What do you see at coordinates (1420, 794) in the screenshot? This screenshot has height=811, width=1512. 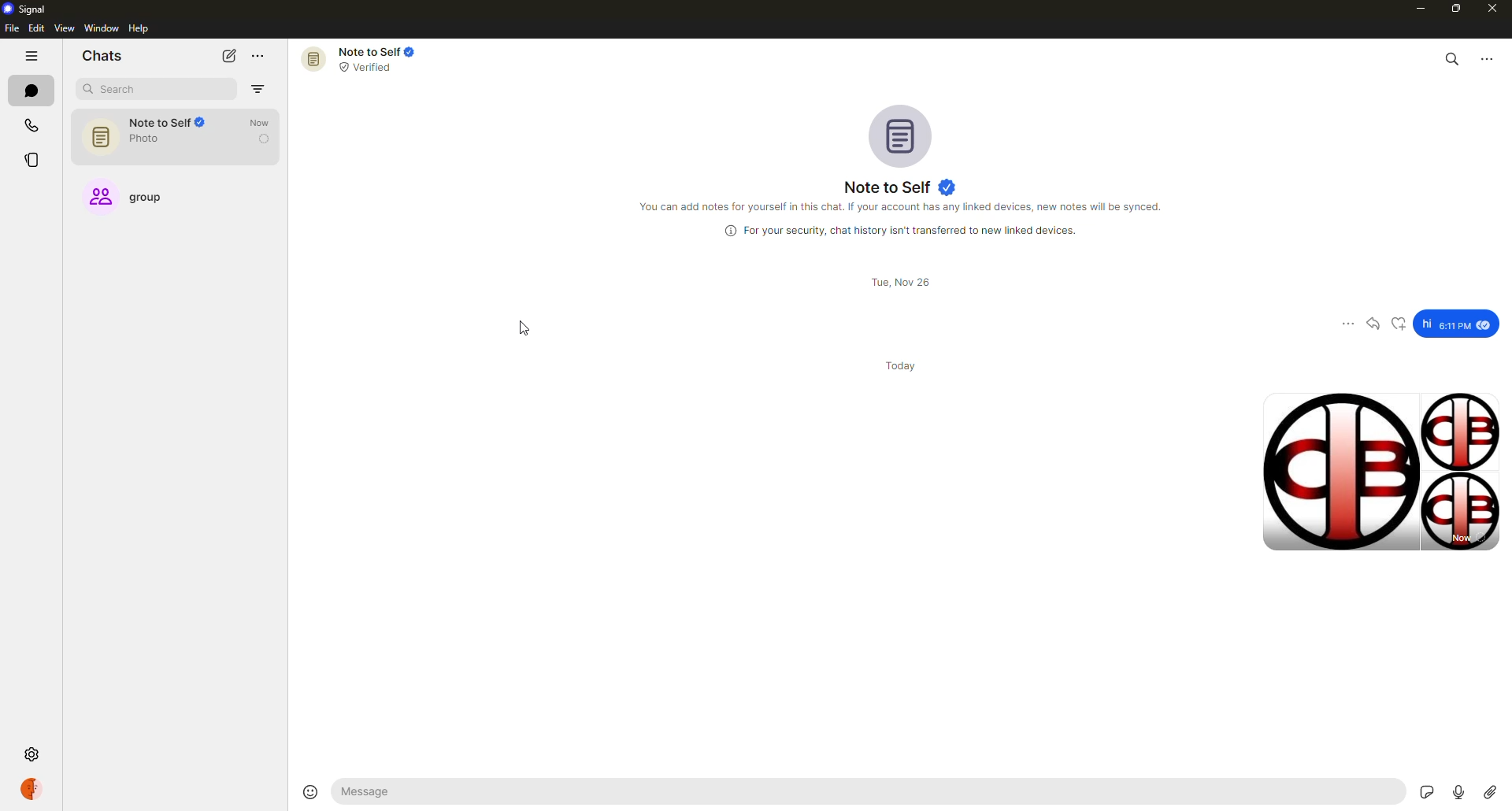 I see `stickers` at bounding box center [1420, 794].